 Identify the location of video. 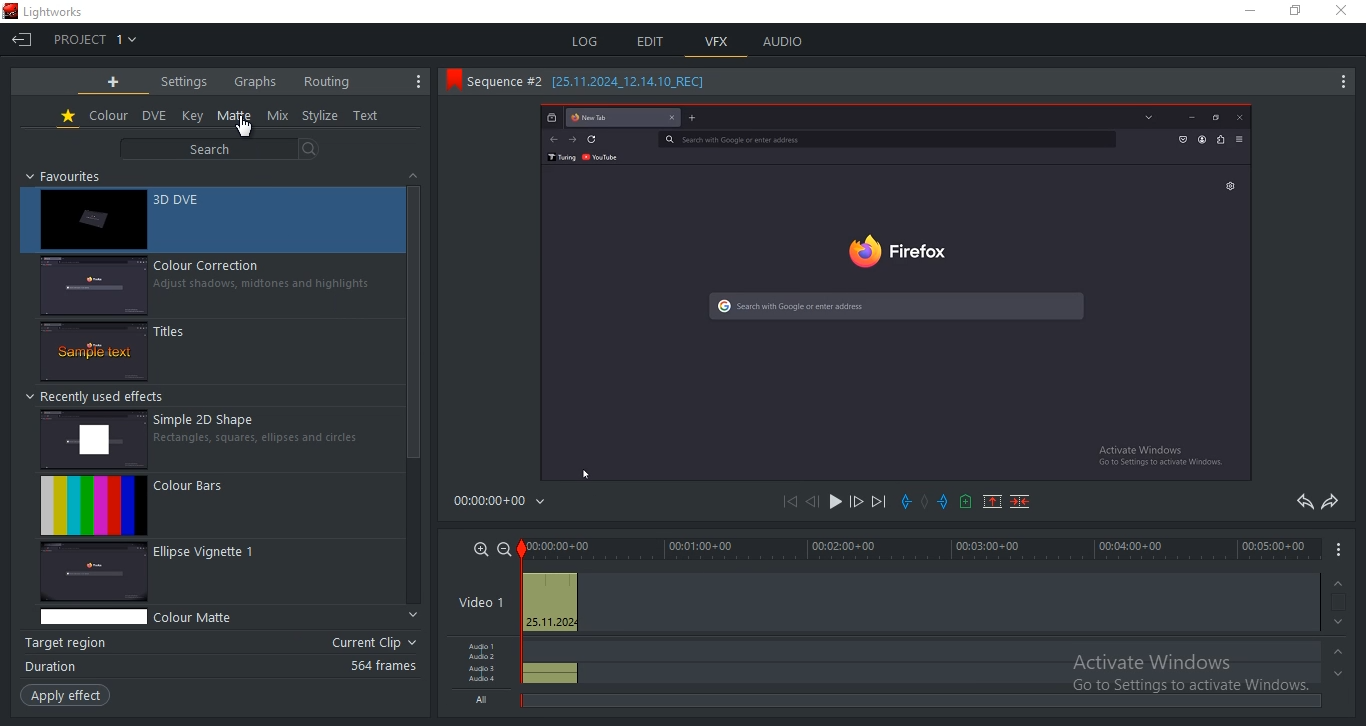
(548, 603).